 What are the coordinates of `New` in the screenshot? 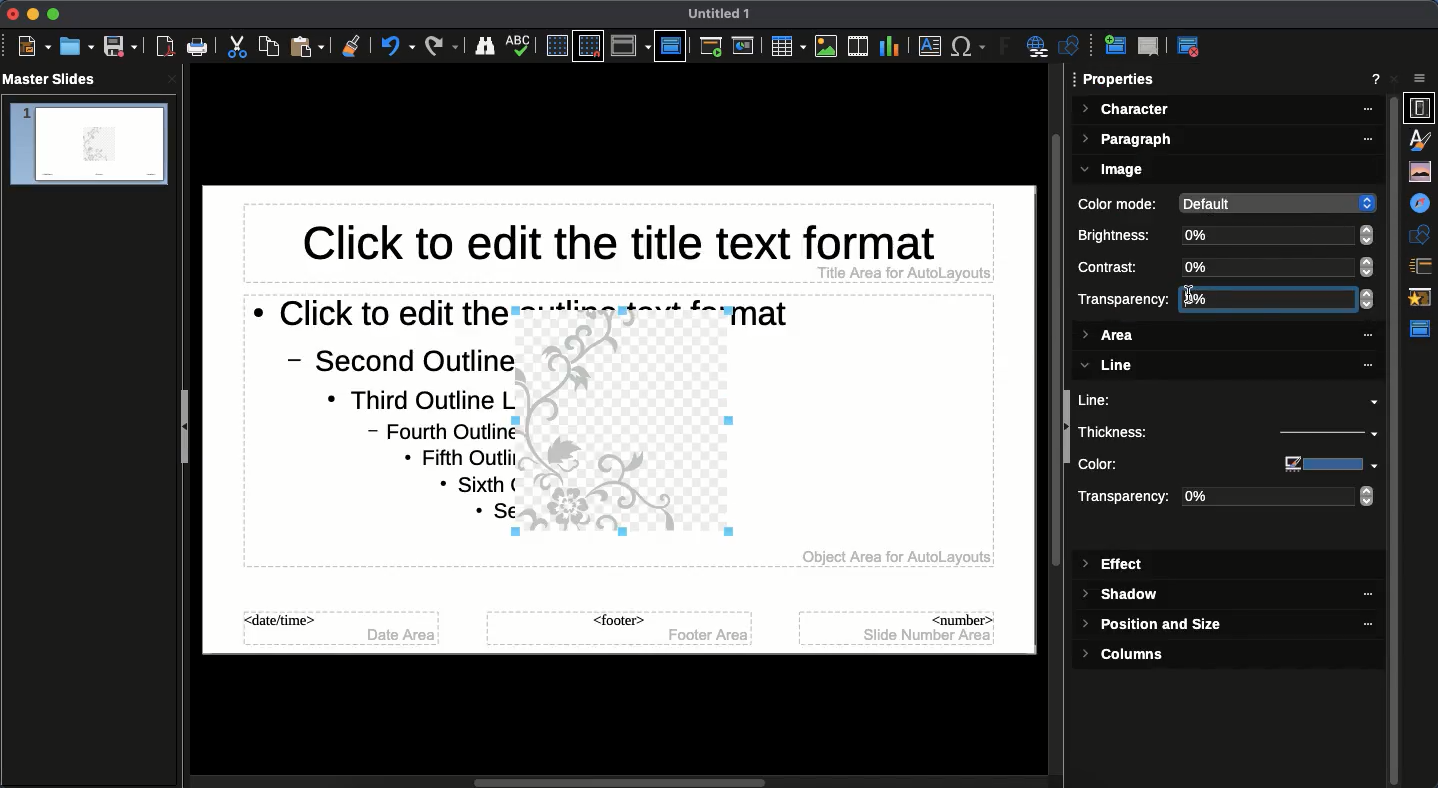 It's located at (34, 47).